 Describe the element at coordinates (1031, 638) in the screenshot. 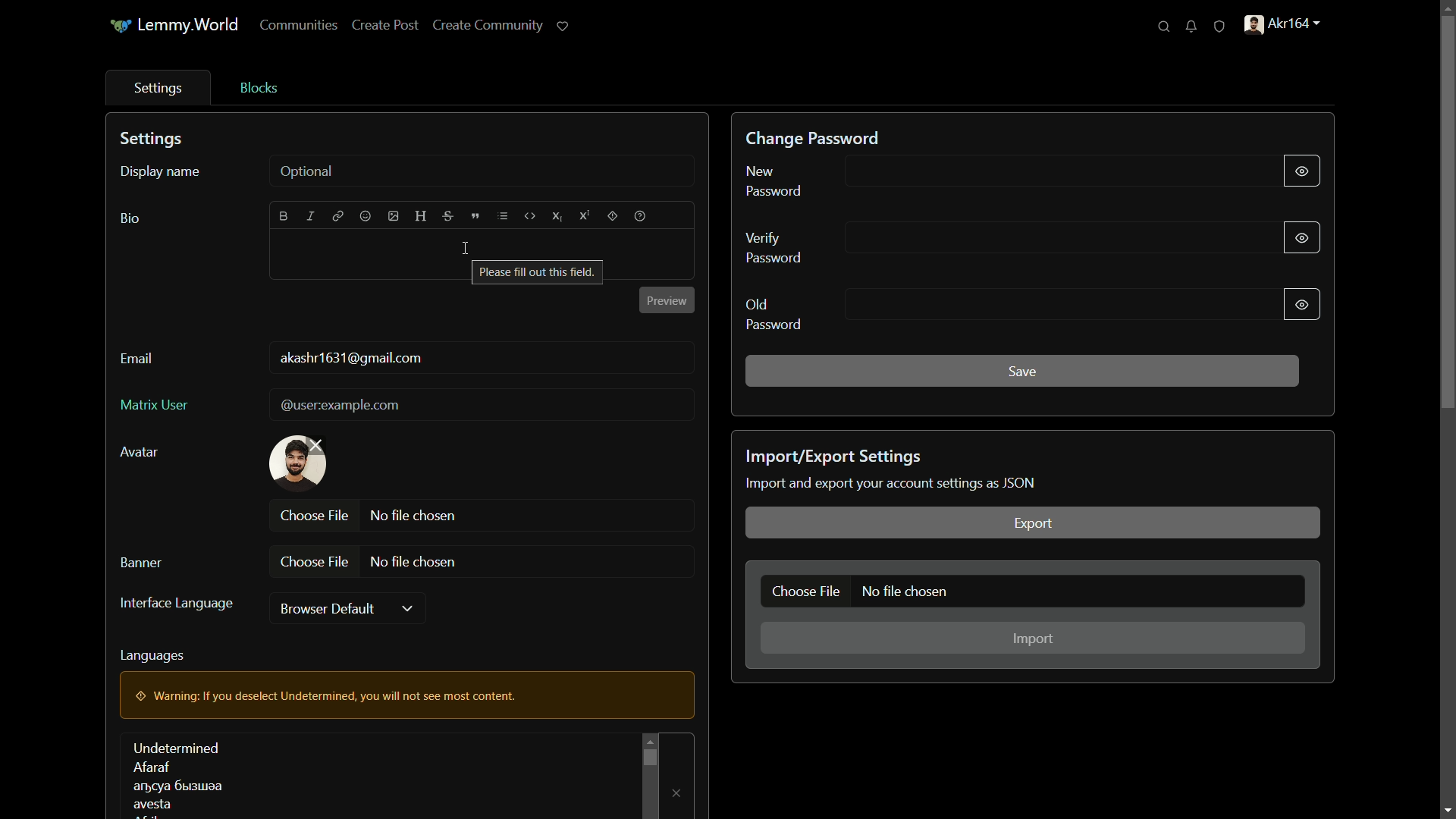

I see `import` at that location.